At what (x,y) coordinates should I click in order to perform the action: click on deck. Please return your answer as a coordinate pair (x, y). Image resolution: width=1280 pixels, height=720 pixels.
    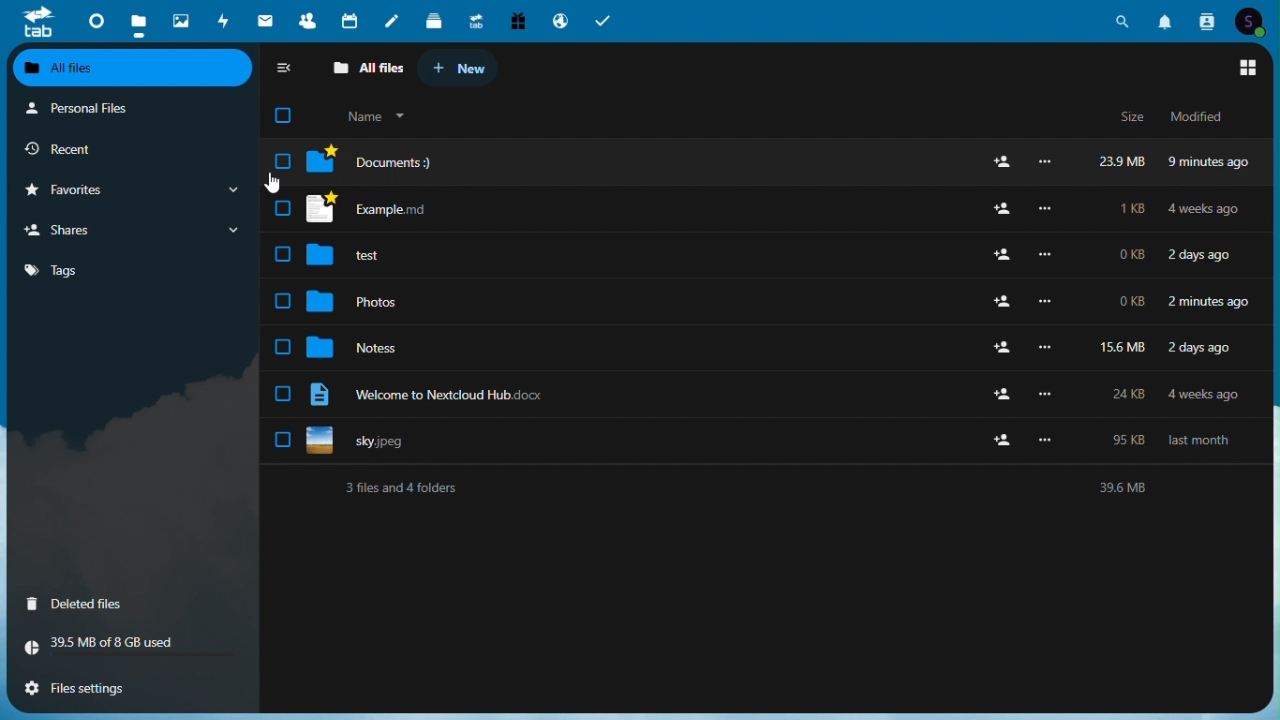
    Looking at the image, I should click on (434, 19).